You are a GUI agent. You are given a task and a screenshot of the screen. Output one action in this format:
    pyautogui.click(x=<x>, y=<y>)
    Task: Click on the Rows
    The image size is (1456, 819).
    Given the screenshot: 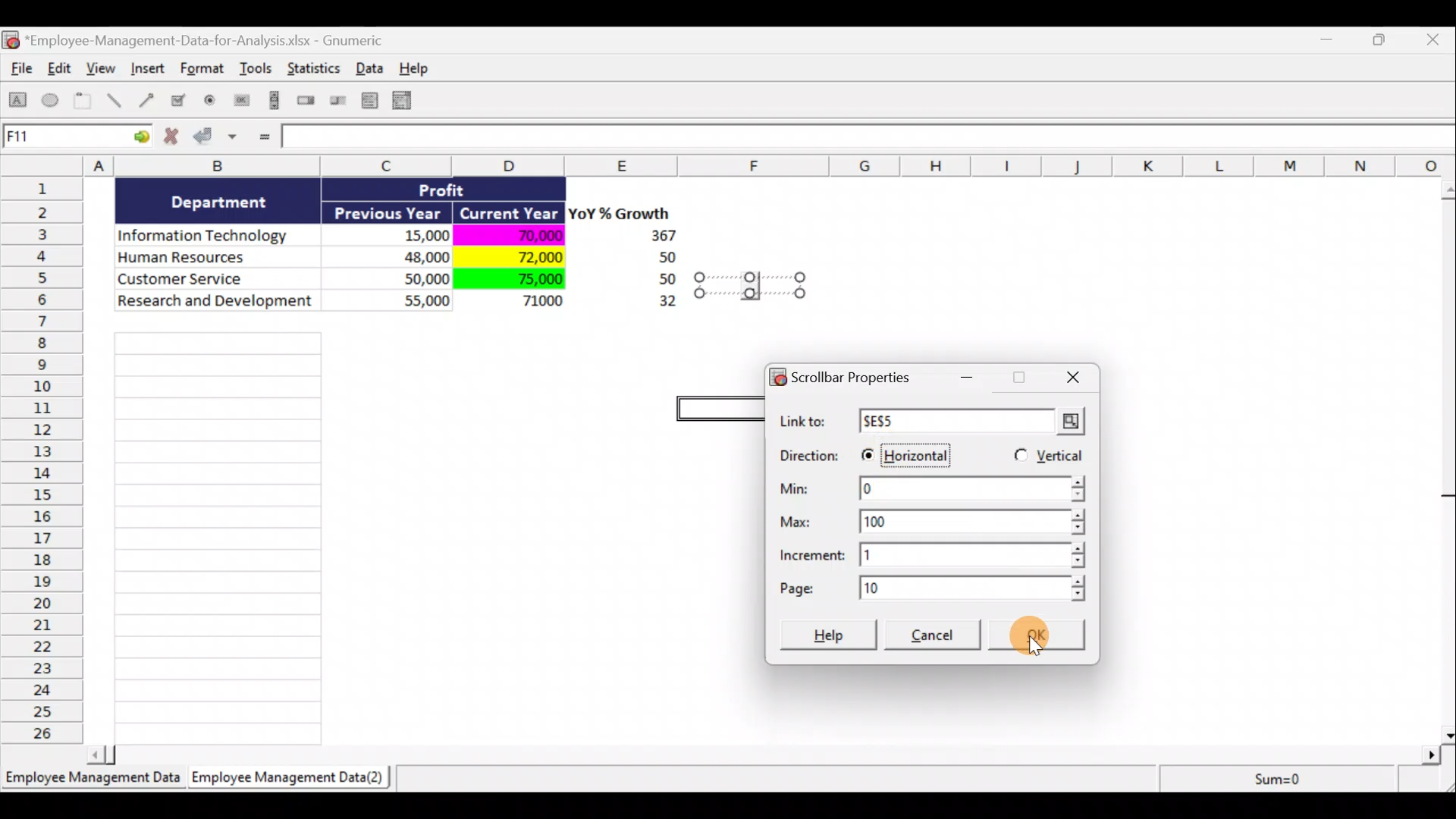 What is the action you would take?
    pyautogui.click(x=46, y=459)
    